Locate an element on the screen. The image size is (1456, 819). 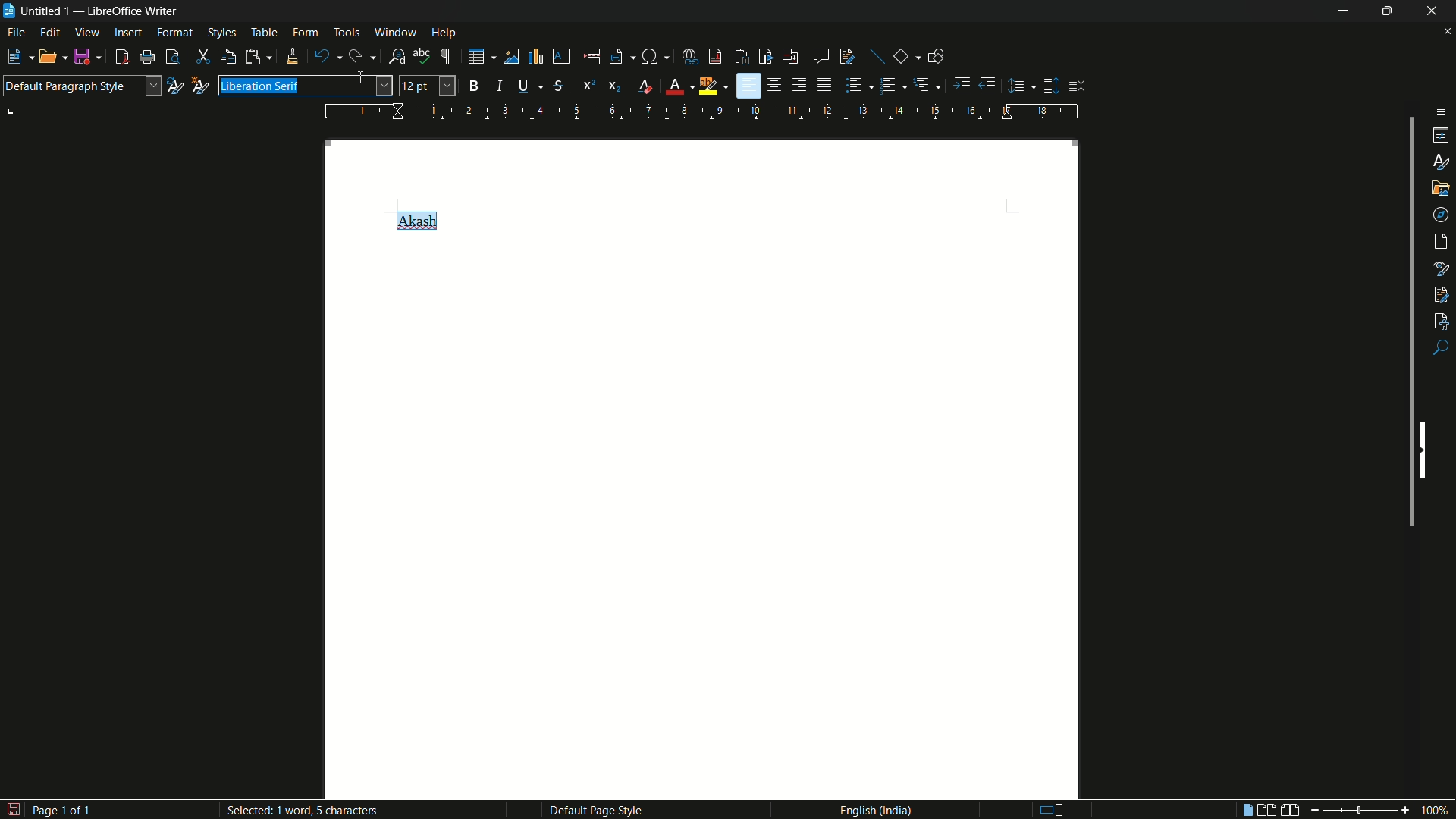
insert field is located at coordinates (615, 57).